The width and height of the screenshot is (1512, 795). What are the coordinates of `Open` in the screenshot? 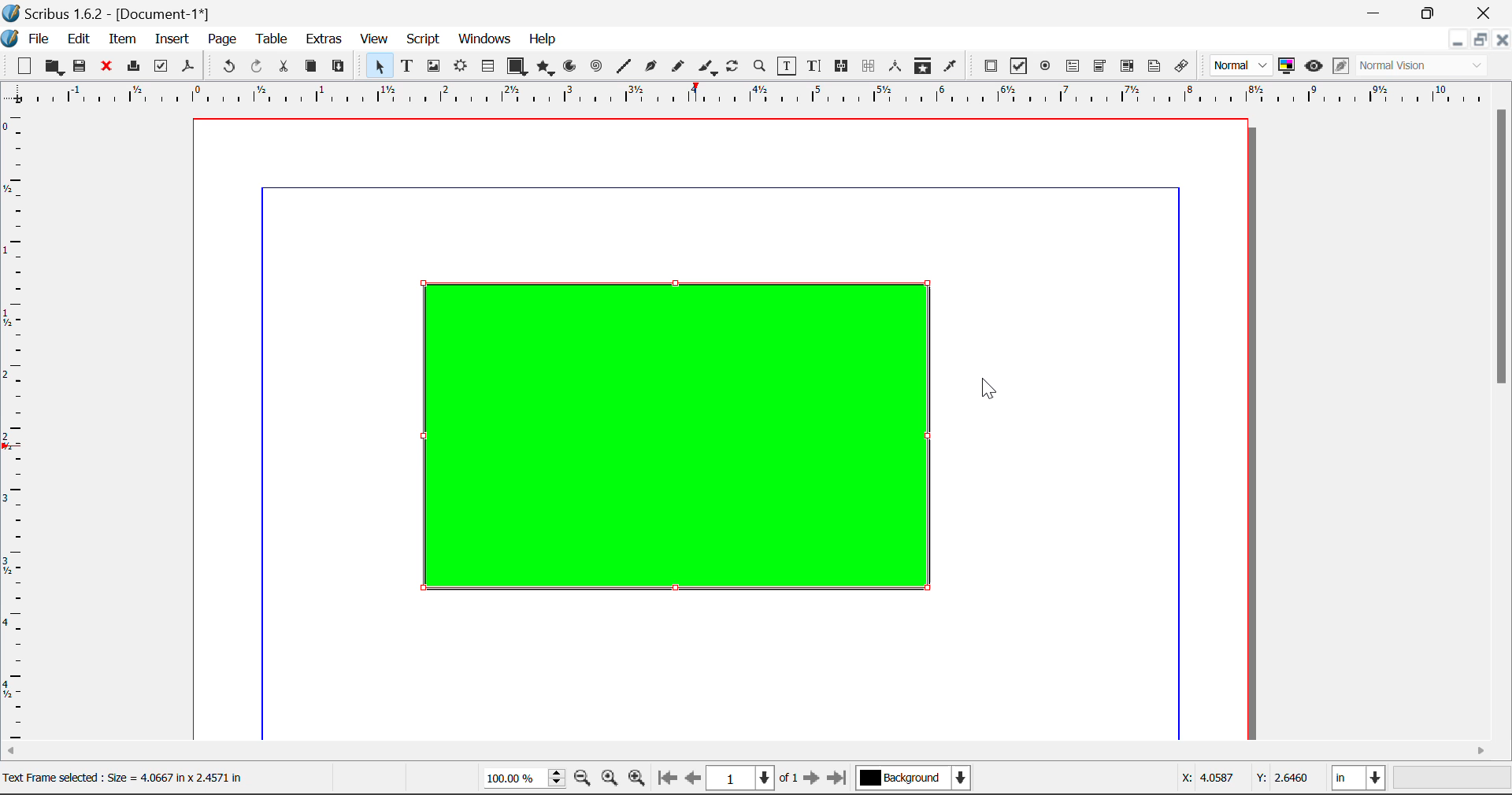 It's located at (54, 67).